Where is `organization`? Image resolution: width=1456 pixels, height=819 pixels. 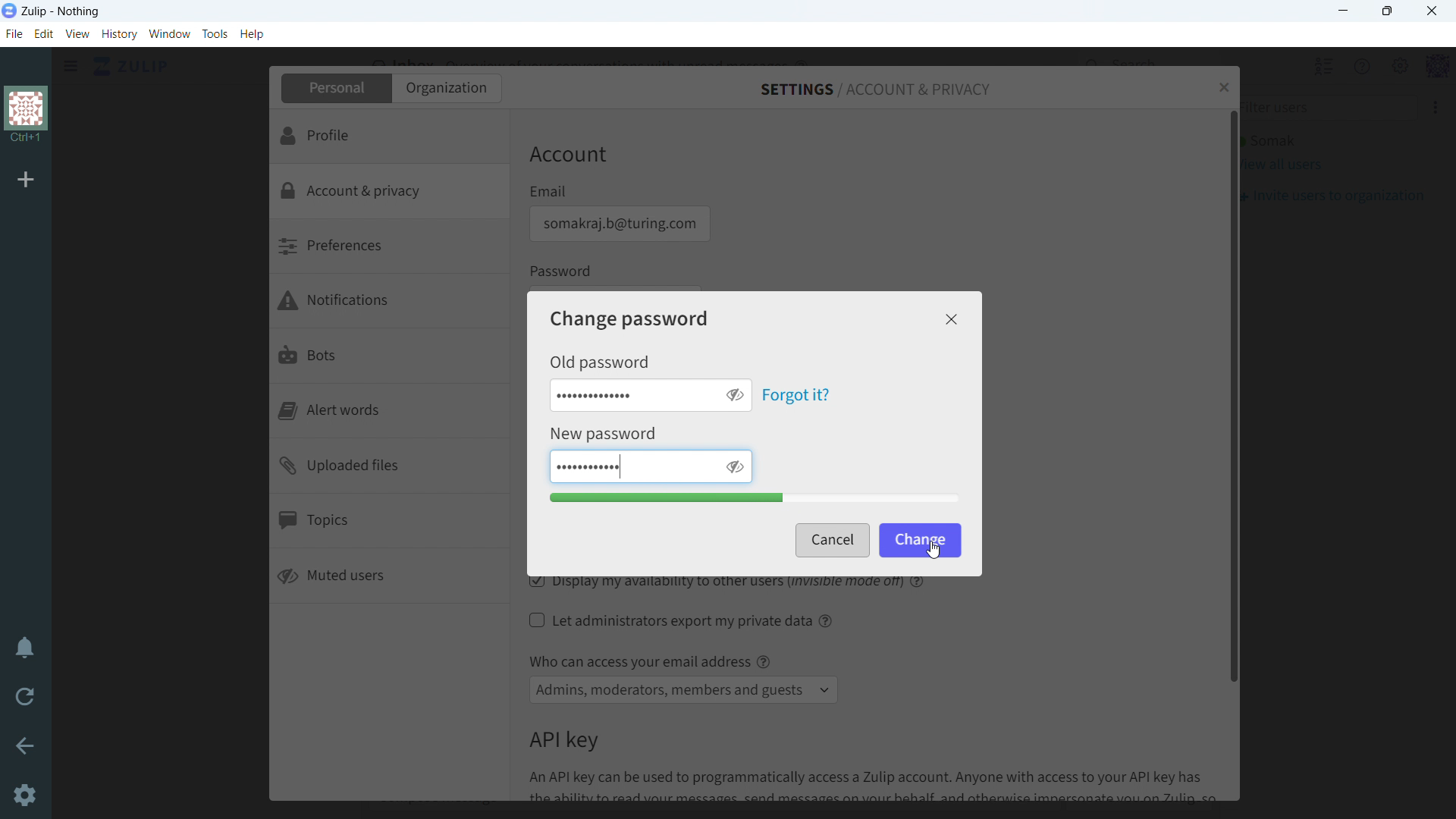
organization is located at coordinates (446, 88).